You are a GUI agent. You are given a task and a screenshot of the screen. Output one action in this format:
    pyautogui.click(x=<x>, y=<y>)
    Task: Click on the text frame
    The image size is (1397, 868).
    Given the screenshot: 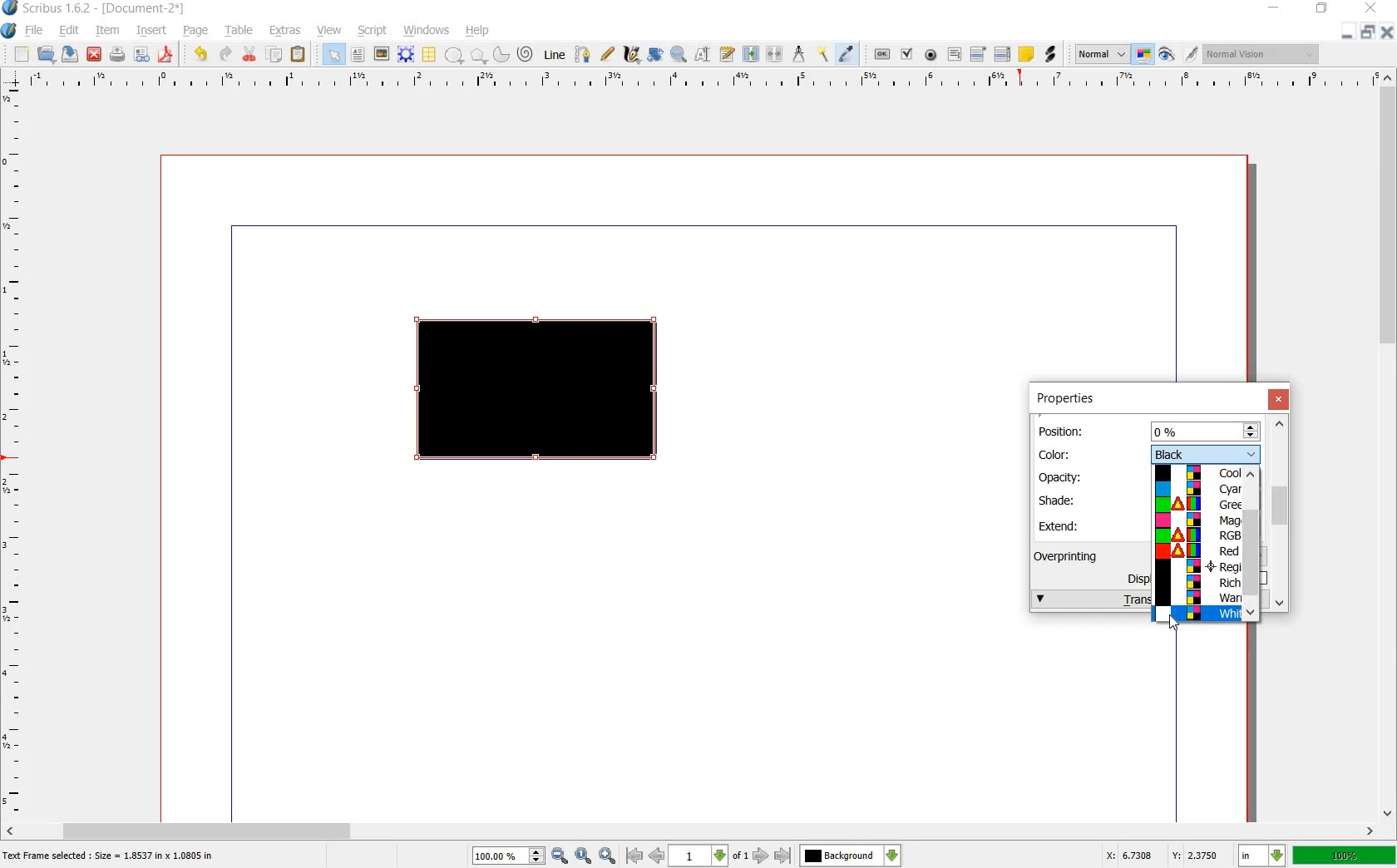 What is the action you would take?
    pyautogui.click(x=357, y=55)
    